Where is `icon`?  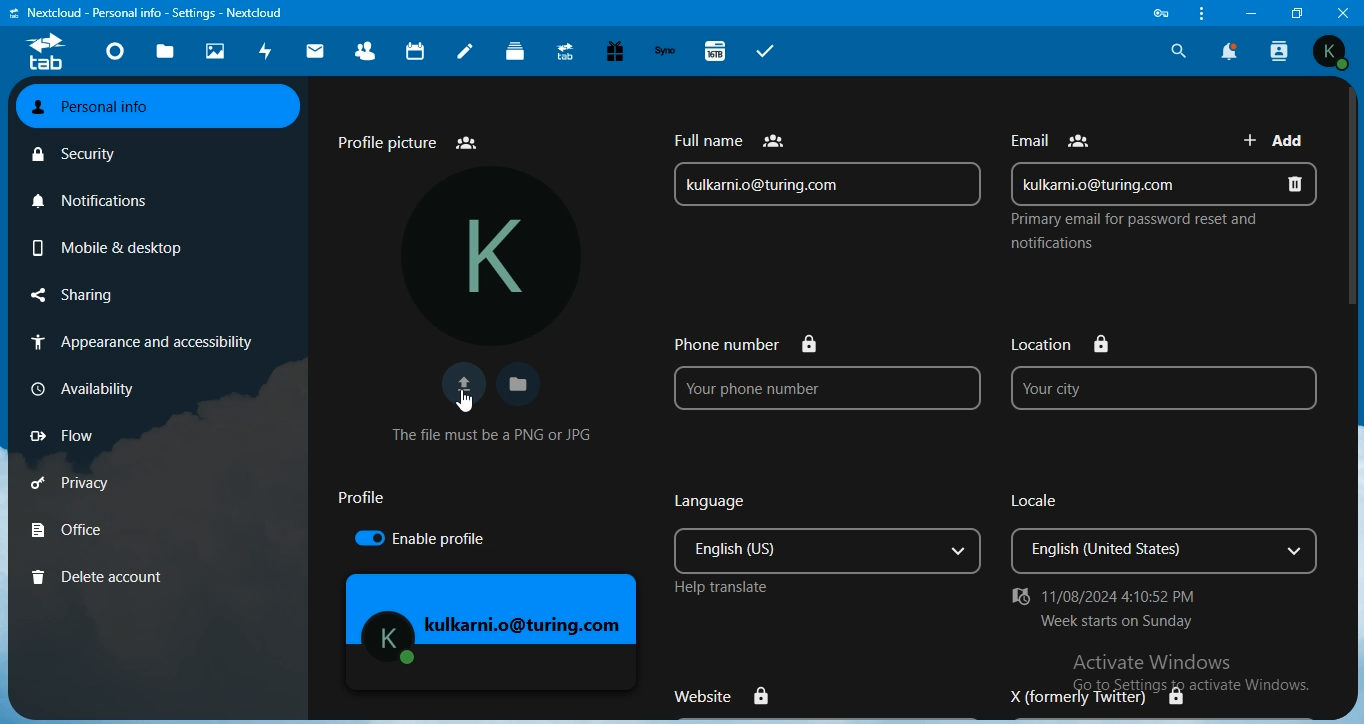 icon is located at coordinates (44, 54).